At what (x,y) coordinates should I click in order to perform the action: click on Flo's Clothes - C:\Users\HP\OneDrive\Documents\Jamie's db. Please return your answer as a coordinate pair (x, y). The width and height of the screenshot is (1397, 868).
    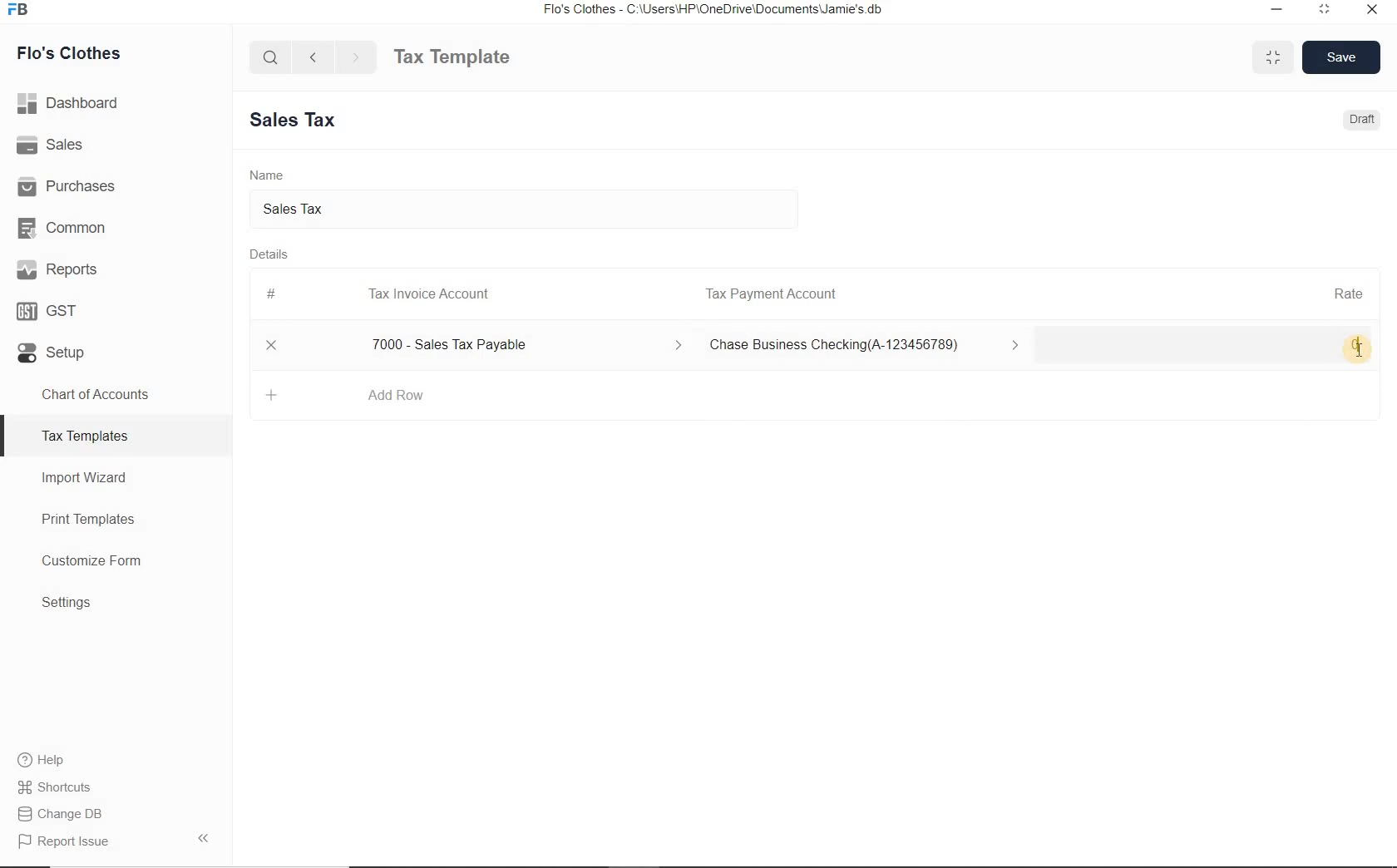
    Looking at the image, I should click on (712, 9).